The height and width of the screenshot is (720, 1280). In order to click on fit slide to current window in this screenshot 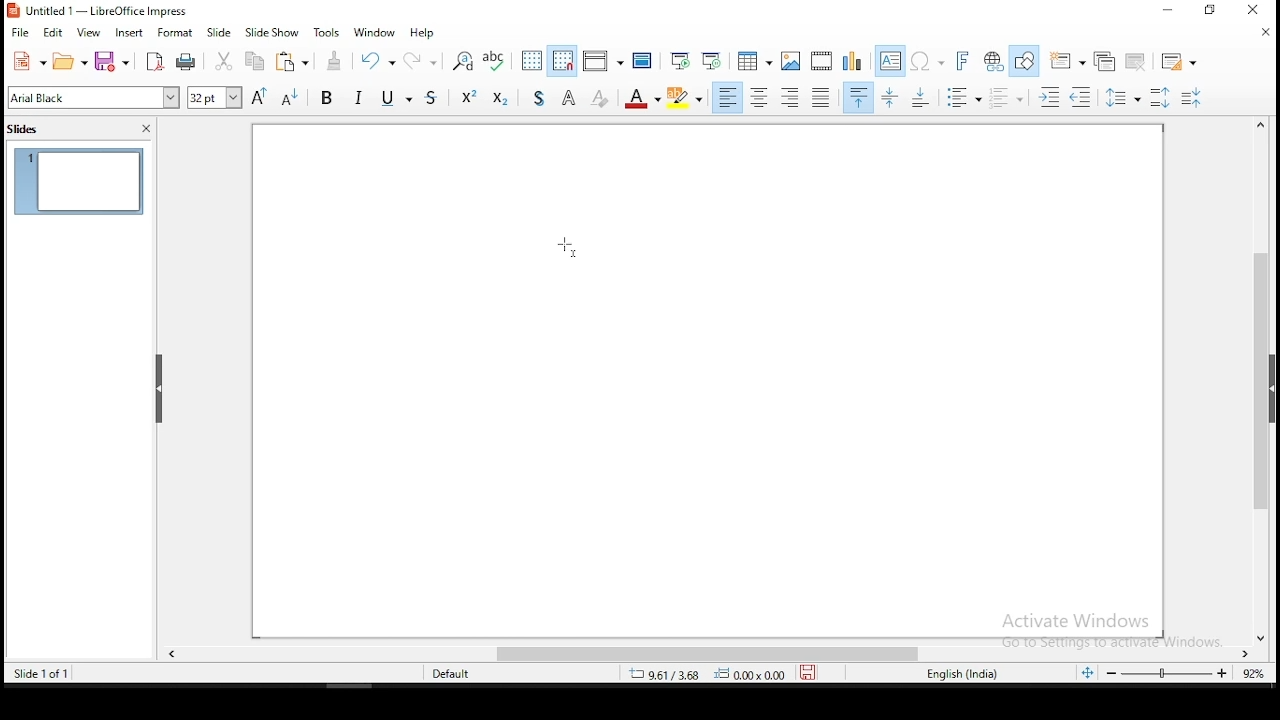, I will do `click(1090, 672)`.